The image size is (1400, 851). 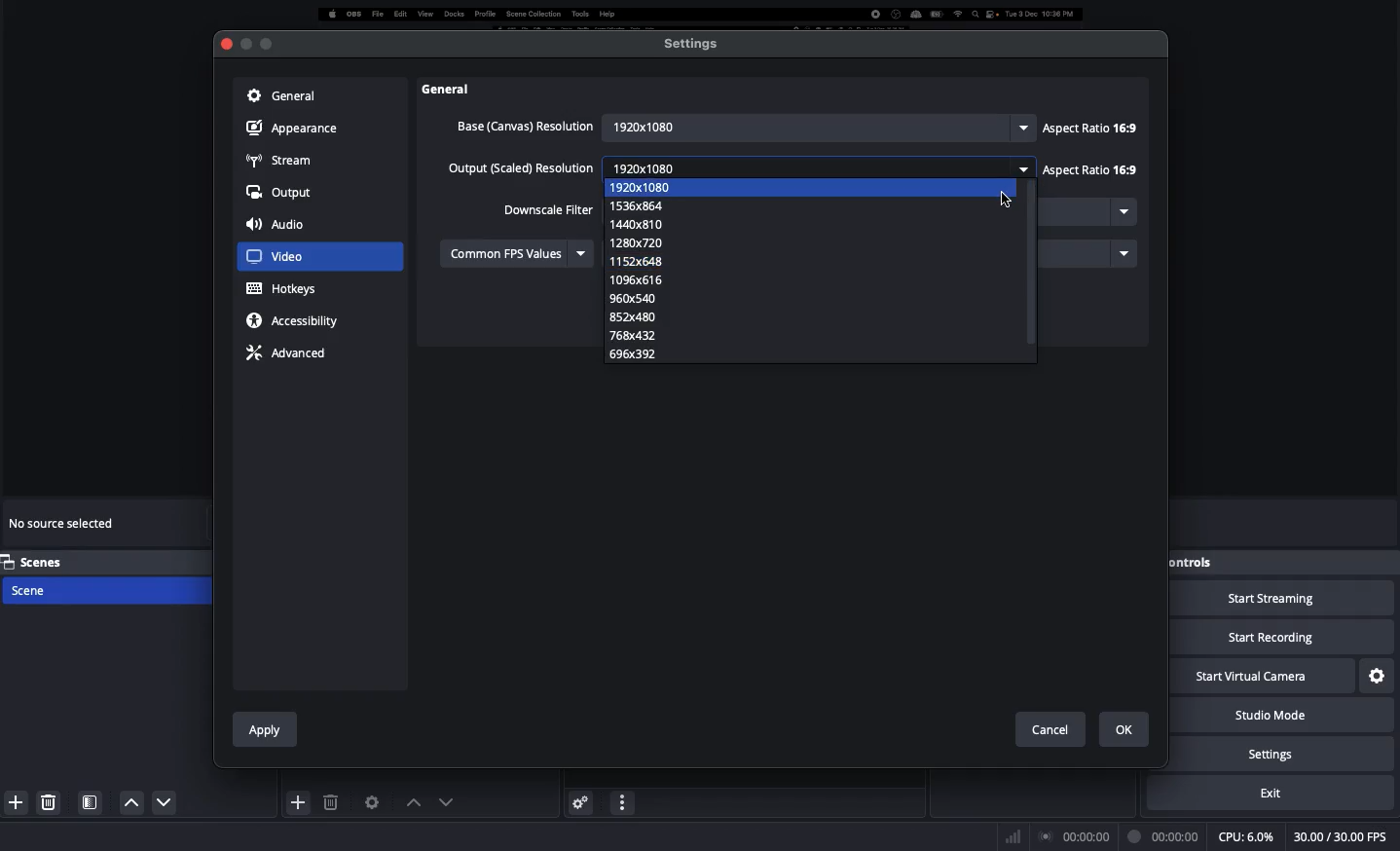 What do you see at coordinates (279, 226) in the screenshot?
I see `Audio` at bounding box center [279, 226].